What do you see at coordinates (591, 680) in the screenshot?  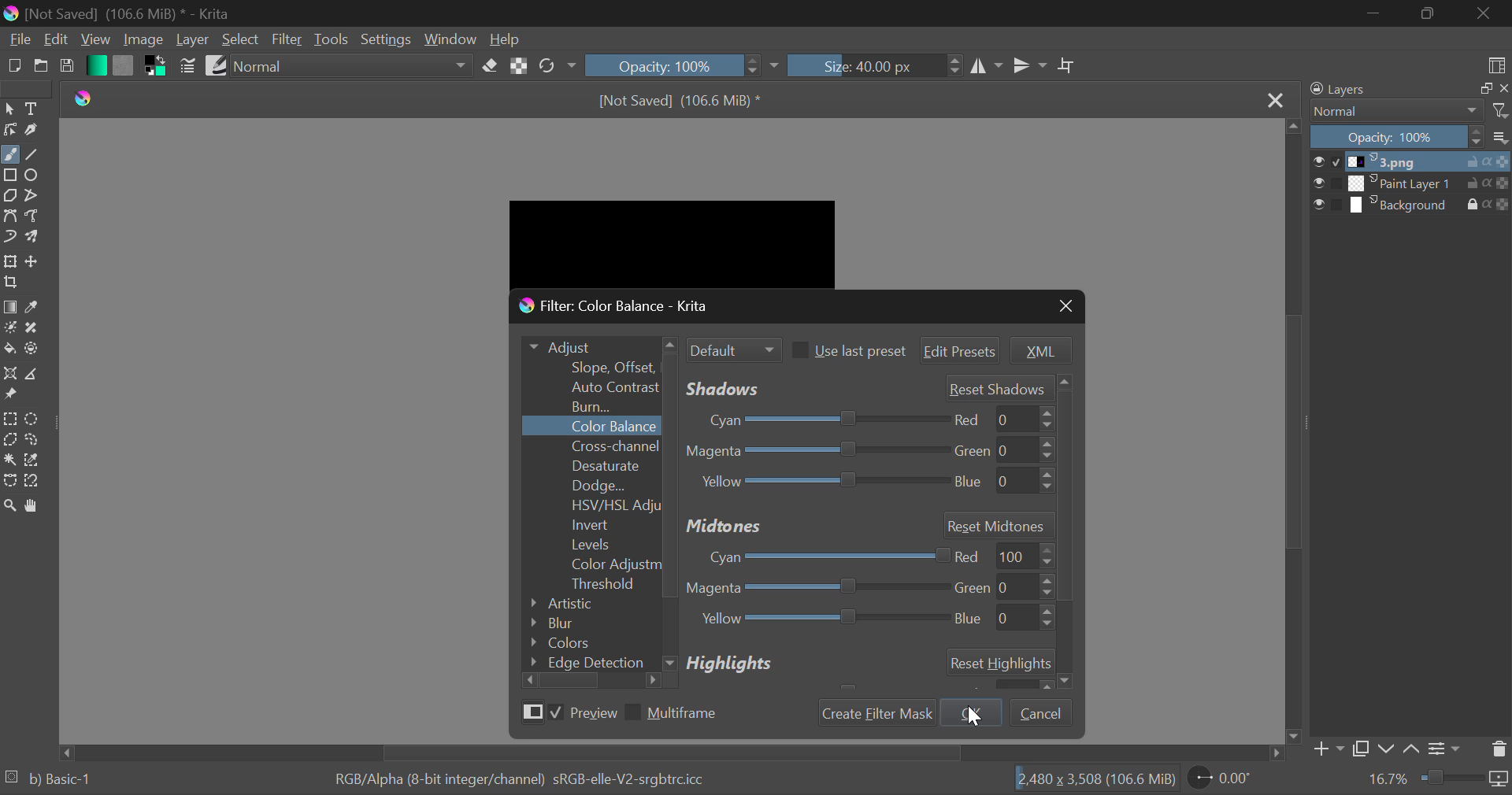 I see `Scroll Bar` at bounding box center [591, 680].